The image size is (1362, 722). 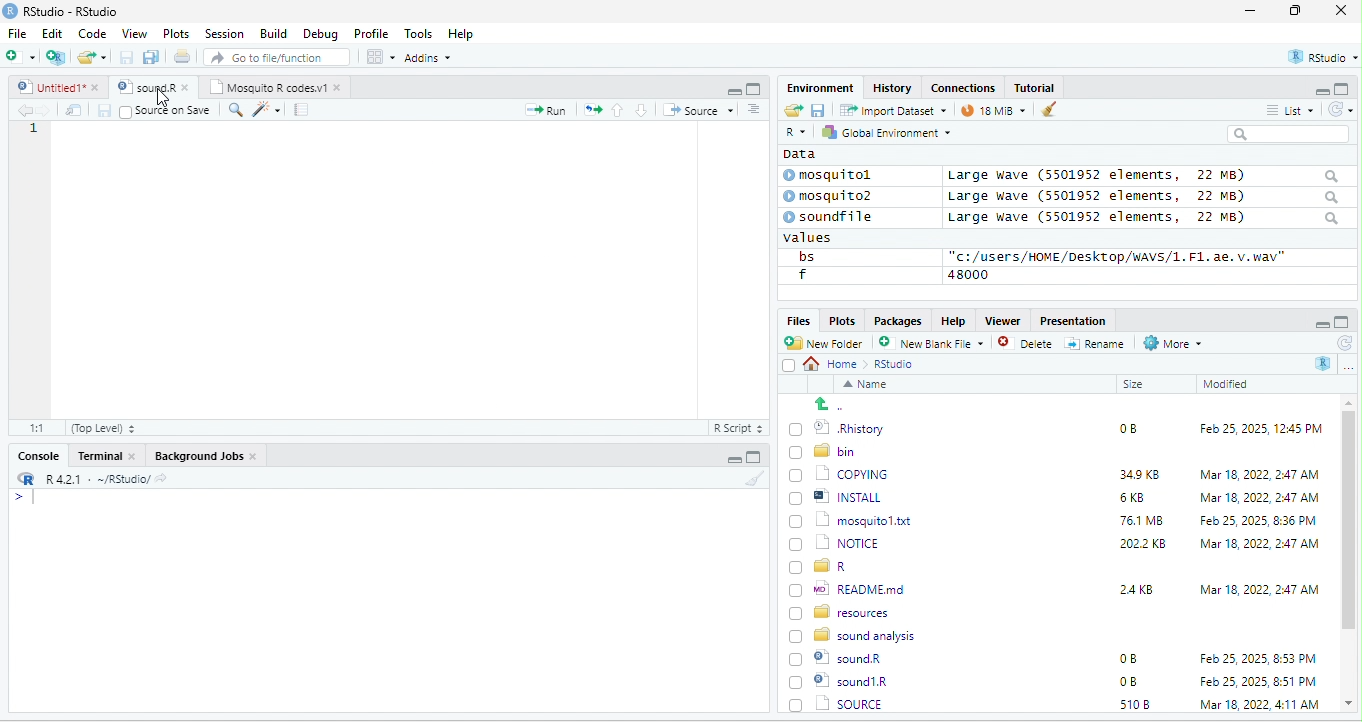 What do you see at coordinates (1258, 681) in the screenshot?
I see `Mar 18, 2022, 4:11 AM` at bounding box center [1258, 681].